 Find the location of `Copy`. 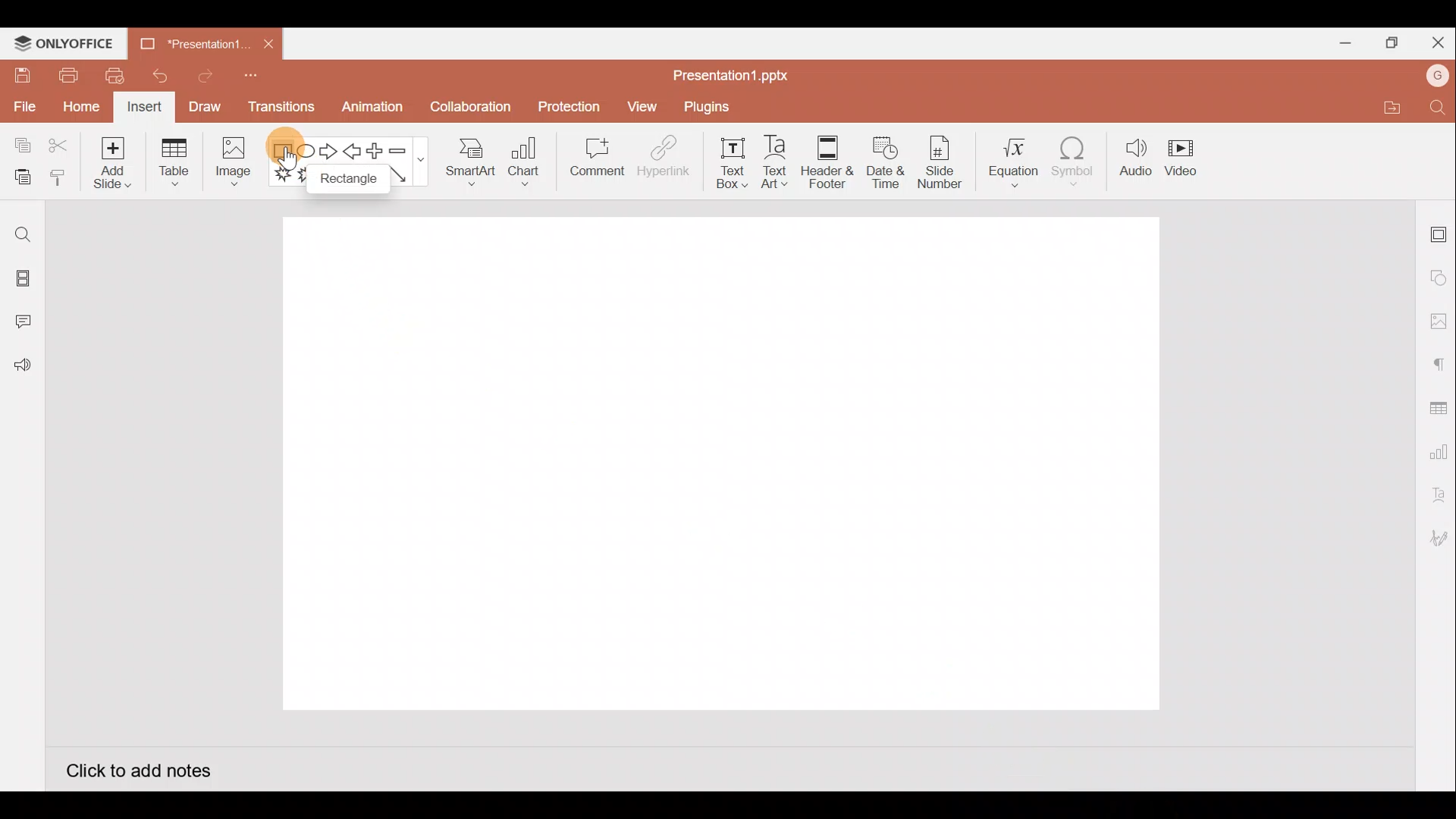

Copy is located at coordinates (20, 146).